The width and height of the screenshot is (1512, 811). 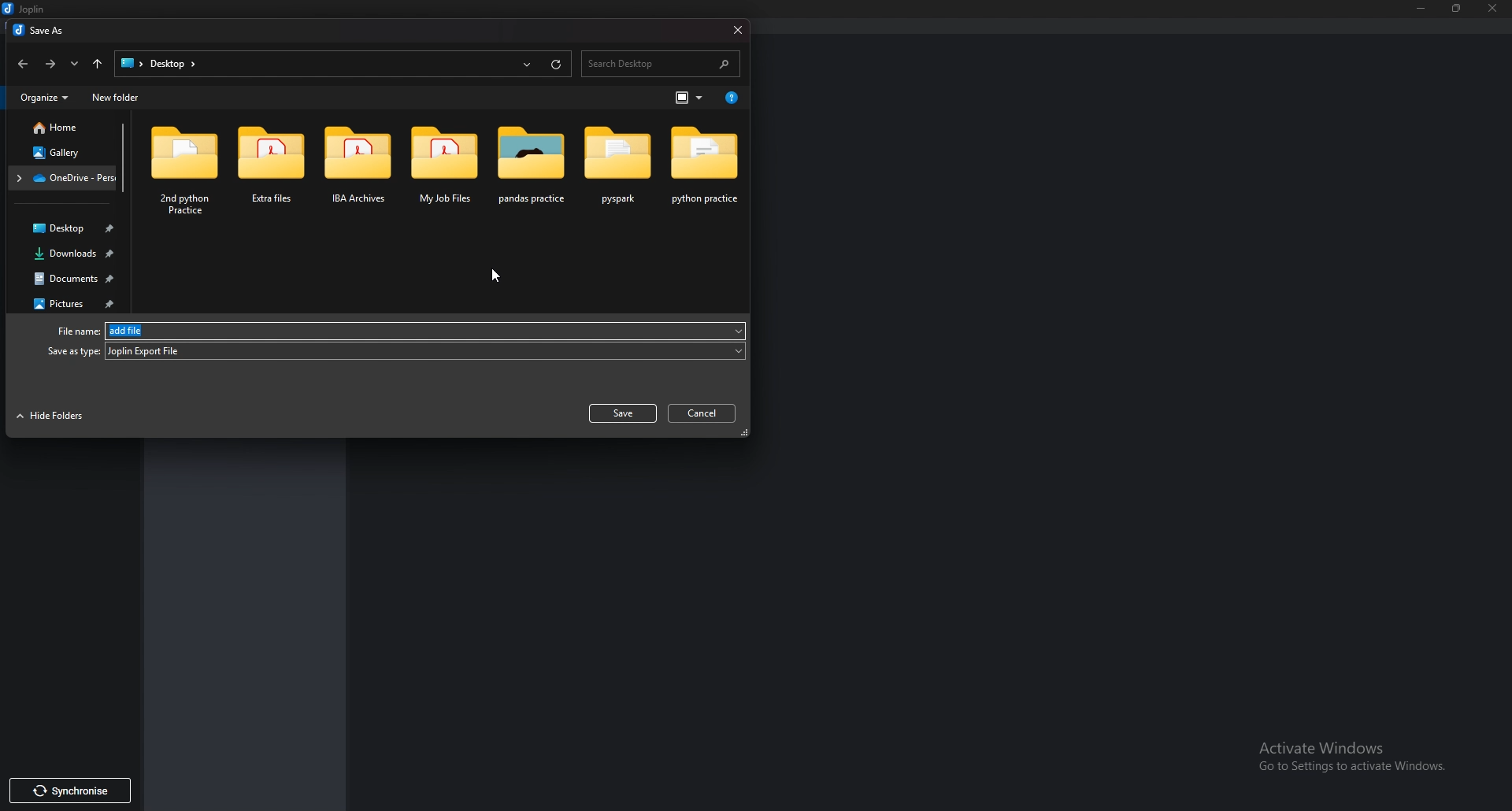 I want to click on folder, so click(x=272, y=166).